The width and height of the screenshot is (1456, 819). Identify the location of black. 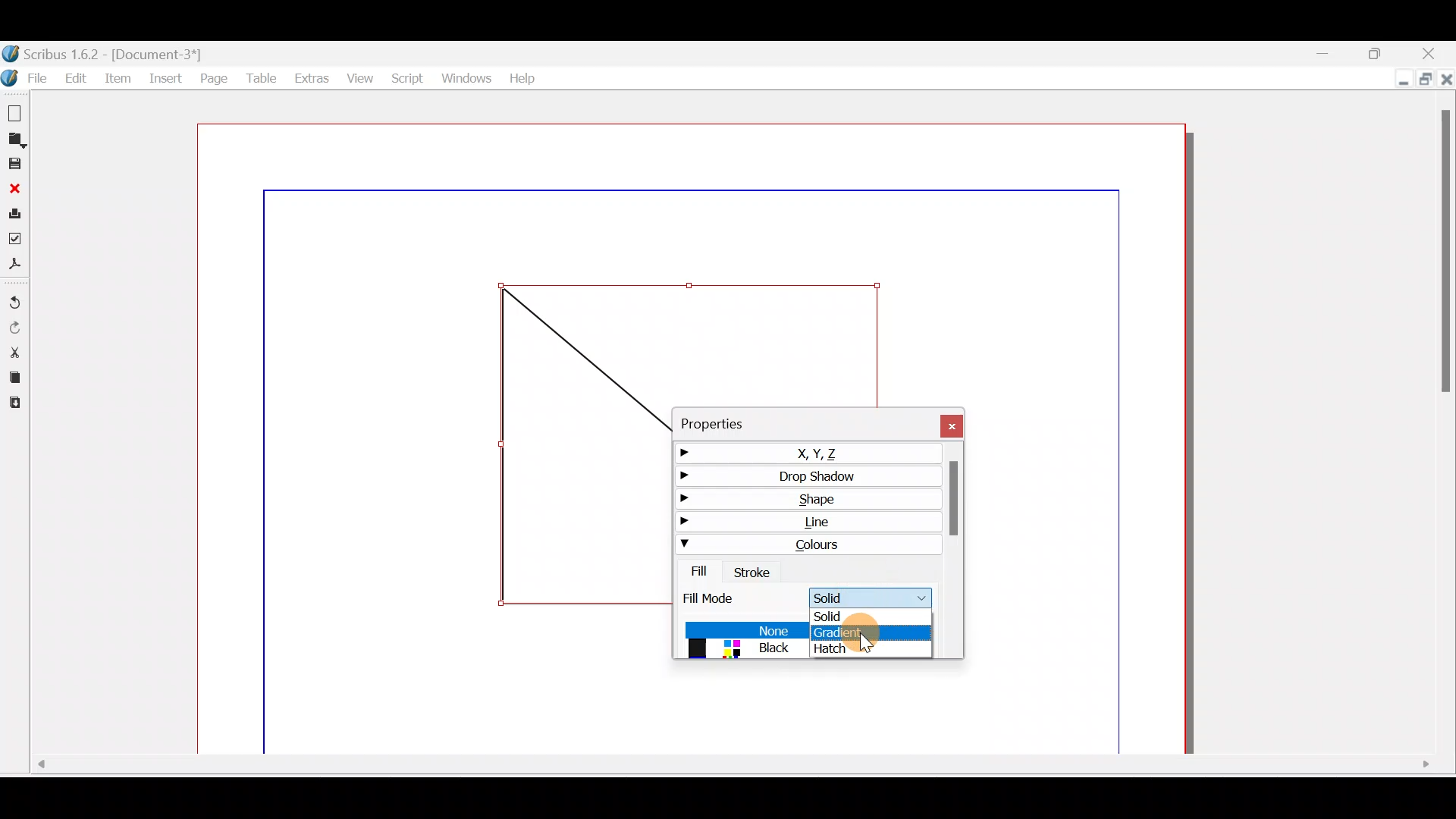
(776, 650).